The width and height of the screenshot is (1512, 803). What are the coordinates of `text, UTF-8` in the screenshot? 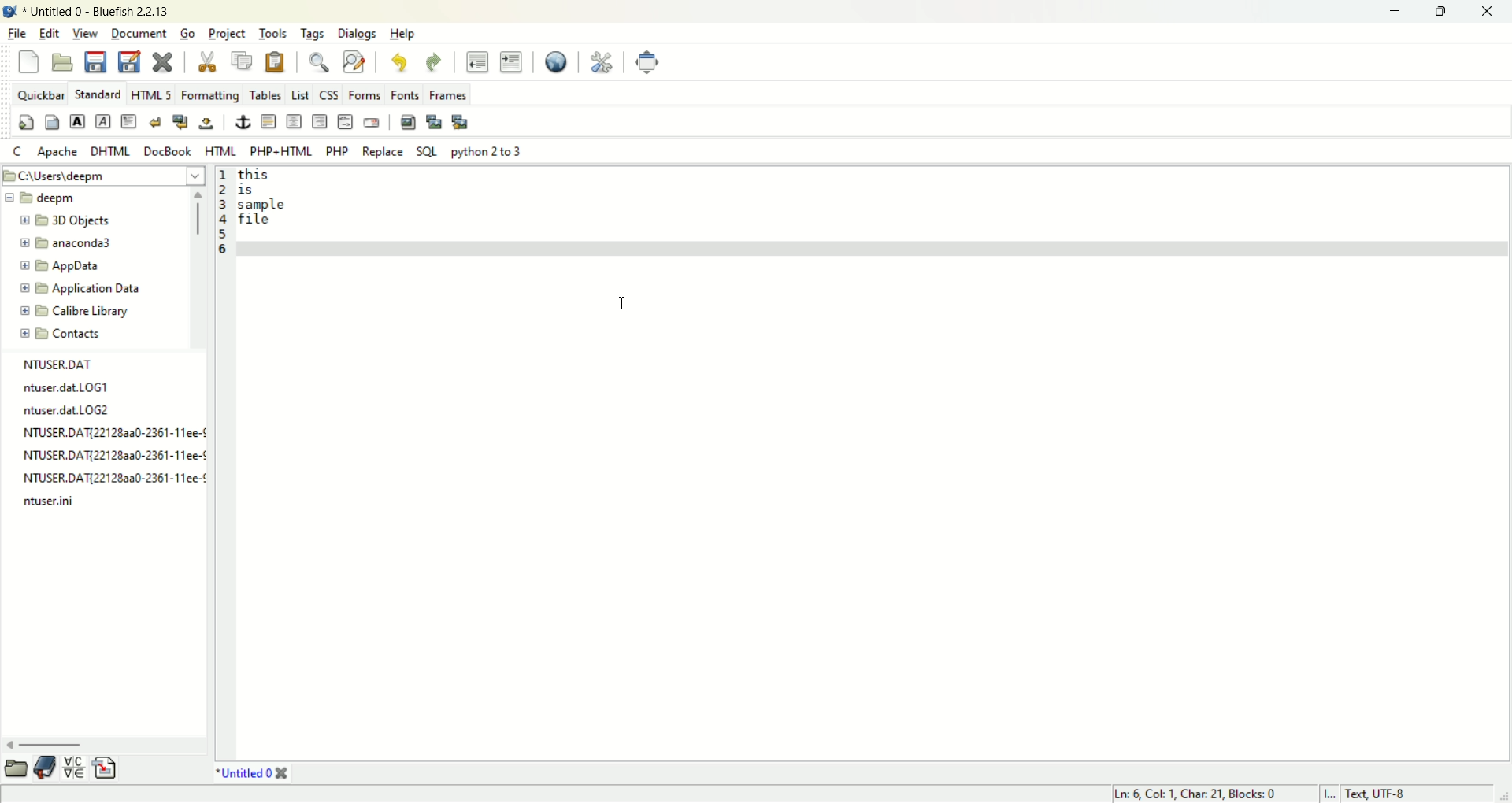 It's located at (1391, 794).